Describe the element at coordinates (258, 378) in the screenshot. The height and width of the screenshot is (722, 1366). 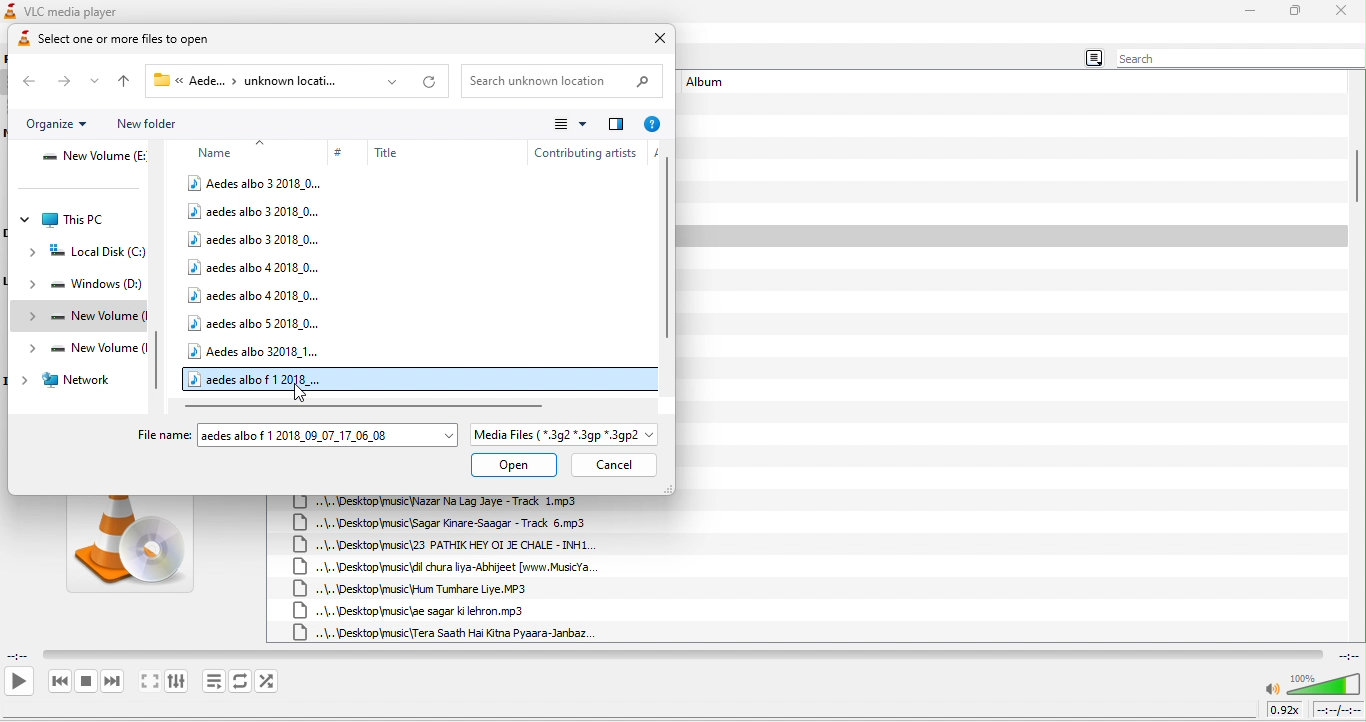
I see `aedes albo f 1 2018_...` at that location.